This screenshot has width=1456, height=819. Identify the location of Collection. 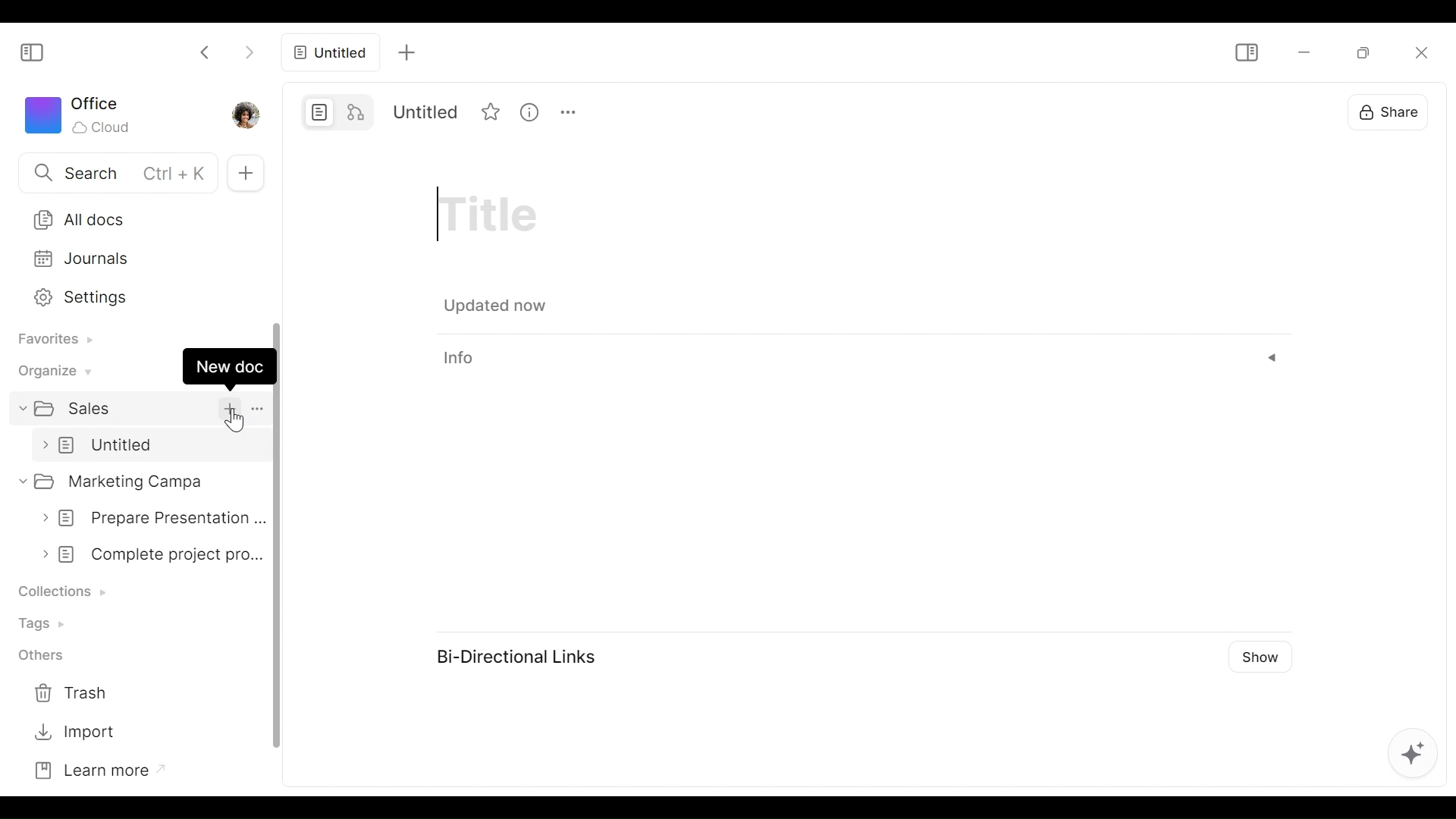
(70, 590).